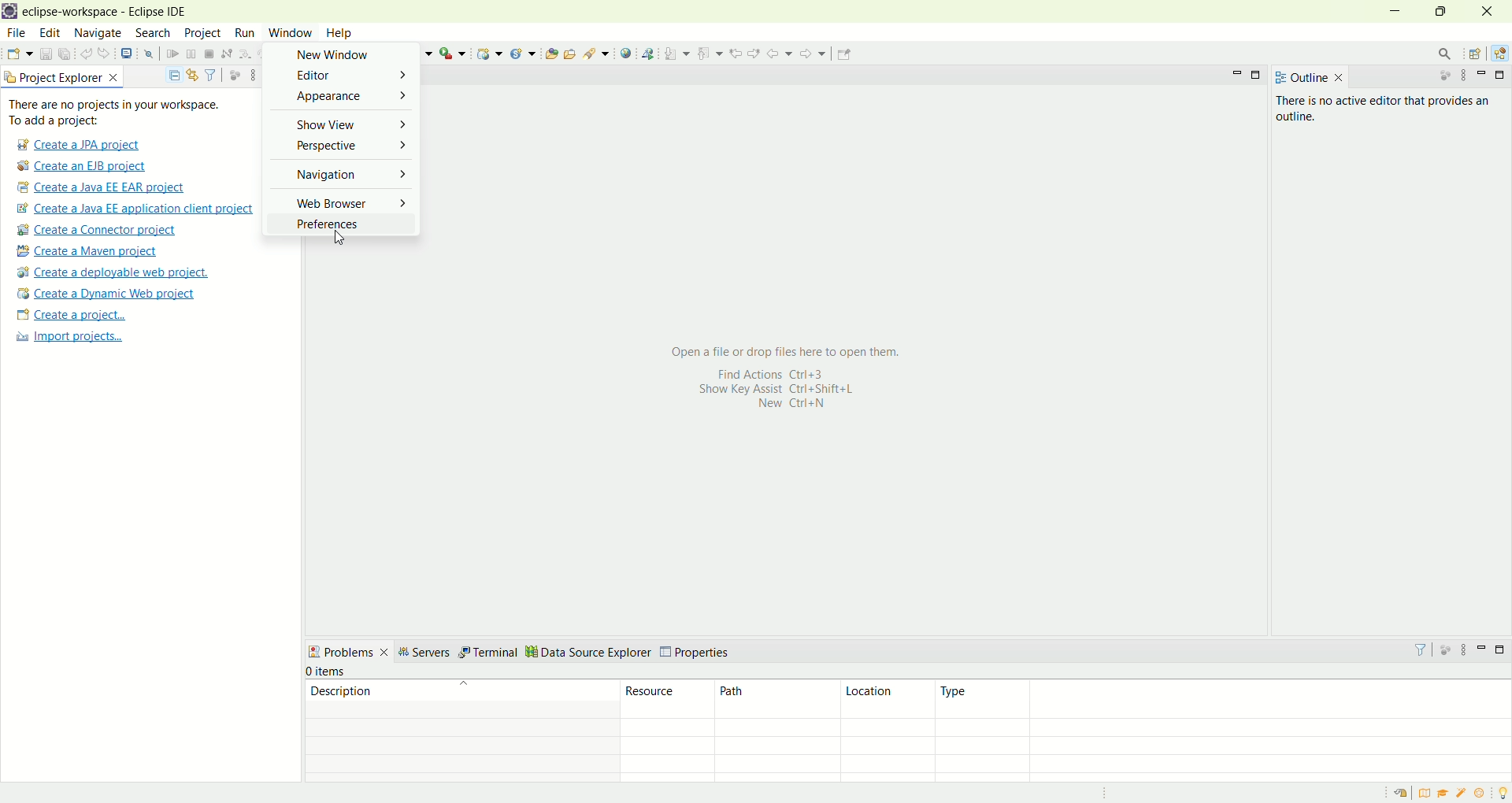 This screenshot has width=1512, height=803. Describe the element at coordinates (103, 13) in the screenshot. I see `eclipse-workspace-Eclipse IDE` at that location.